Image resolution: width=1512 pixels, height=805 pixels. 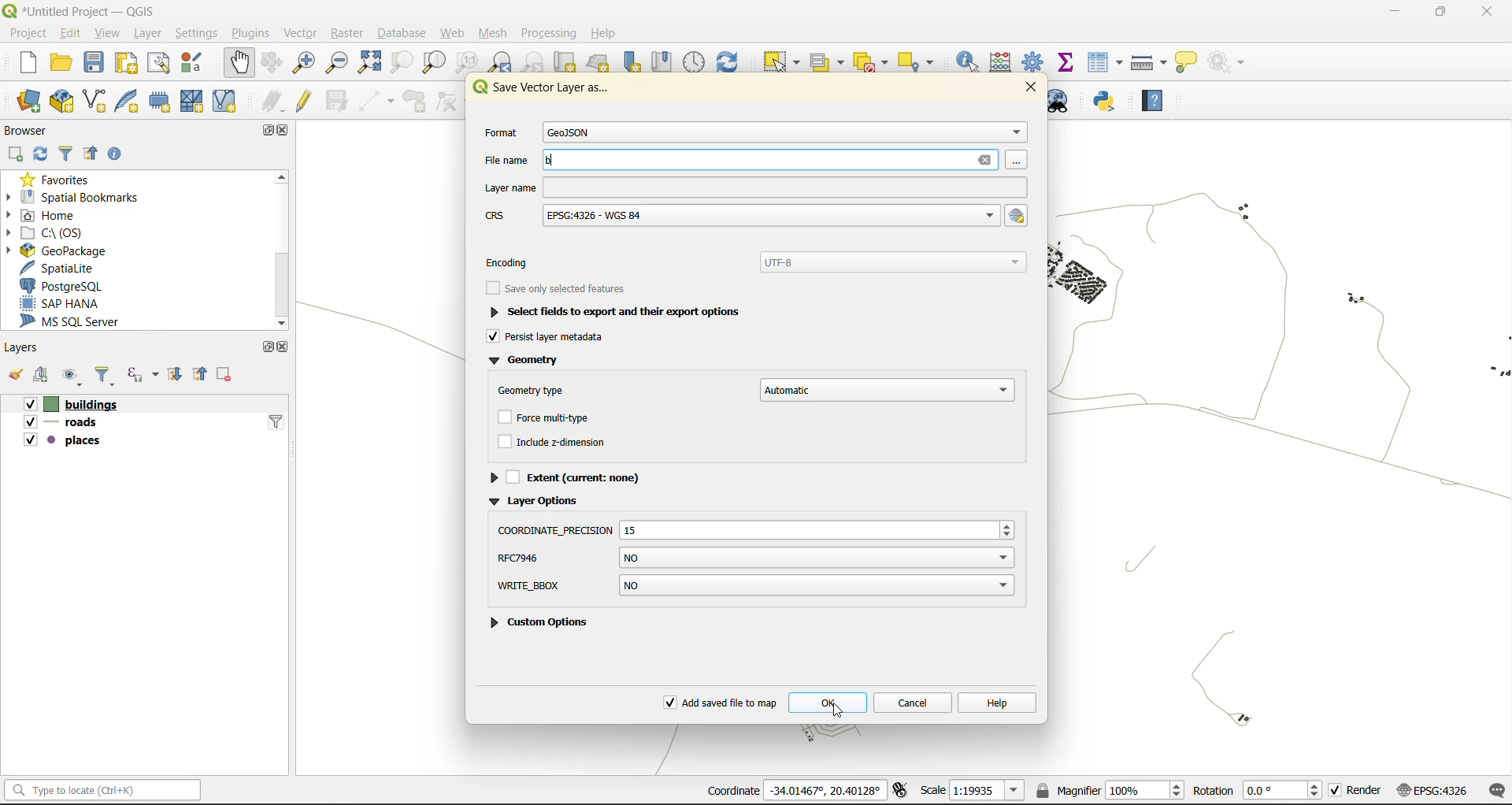 What do you see at coordinates (547, 419) in the screenshot?
I see `force multitype` at bounding box center [547, 419].